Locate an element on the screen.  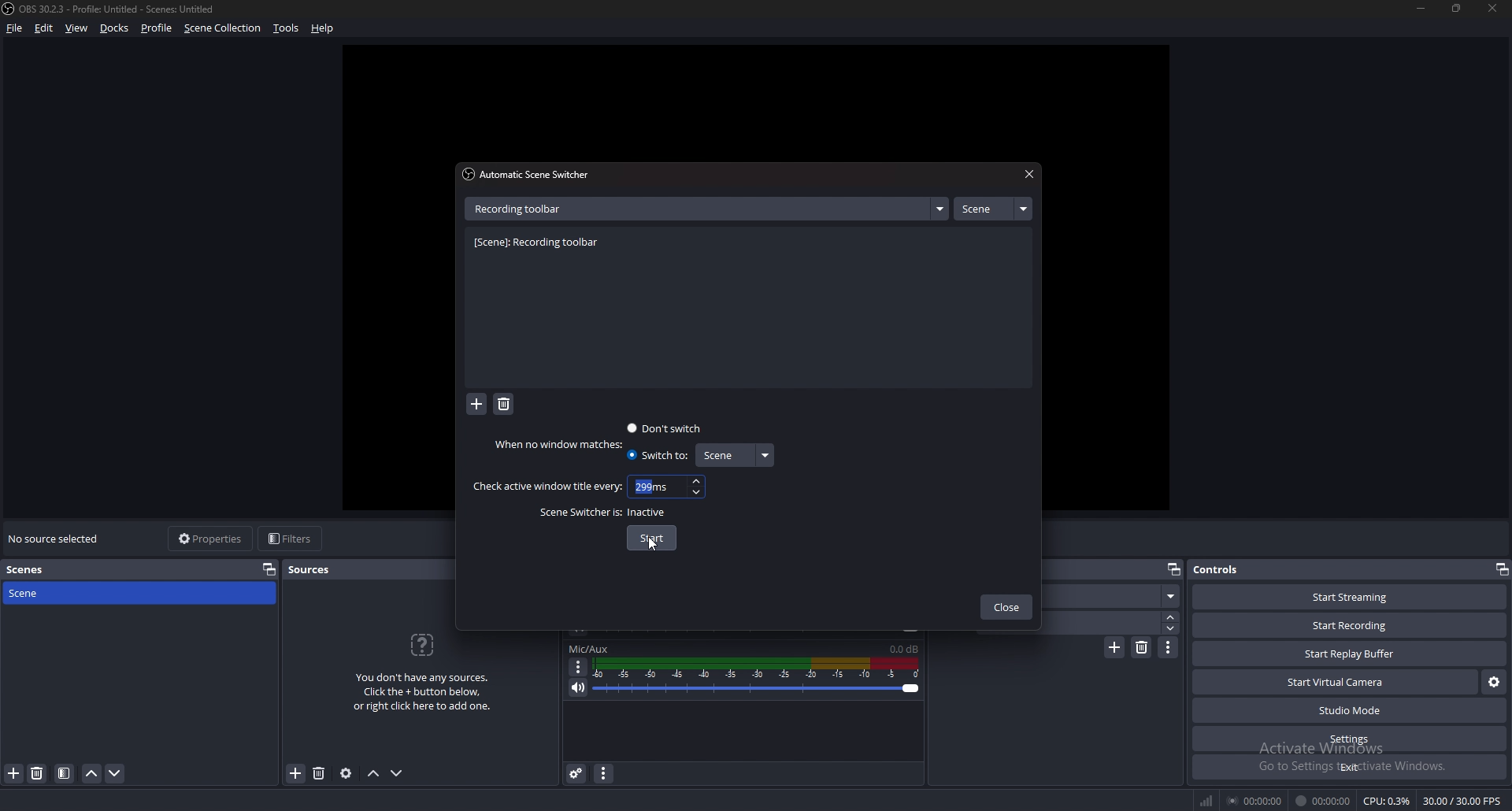
start recording is located at coordinates (1349, 626).